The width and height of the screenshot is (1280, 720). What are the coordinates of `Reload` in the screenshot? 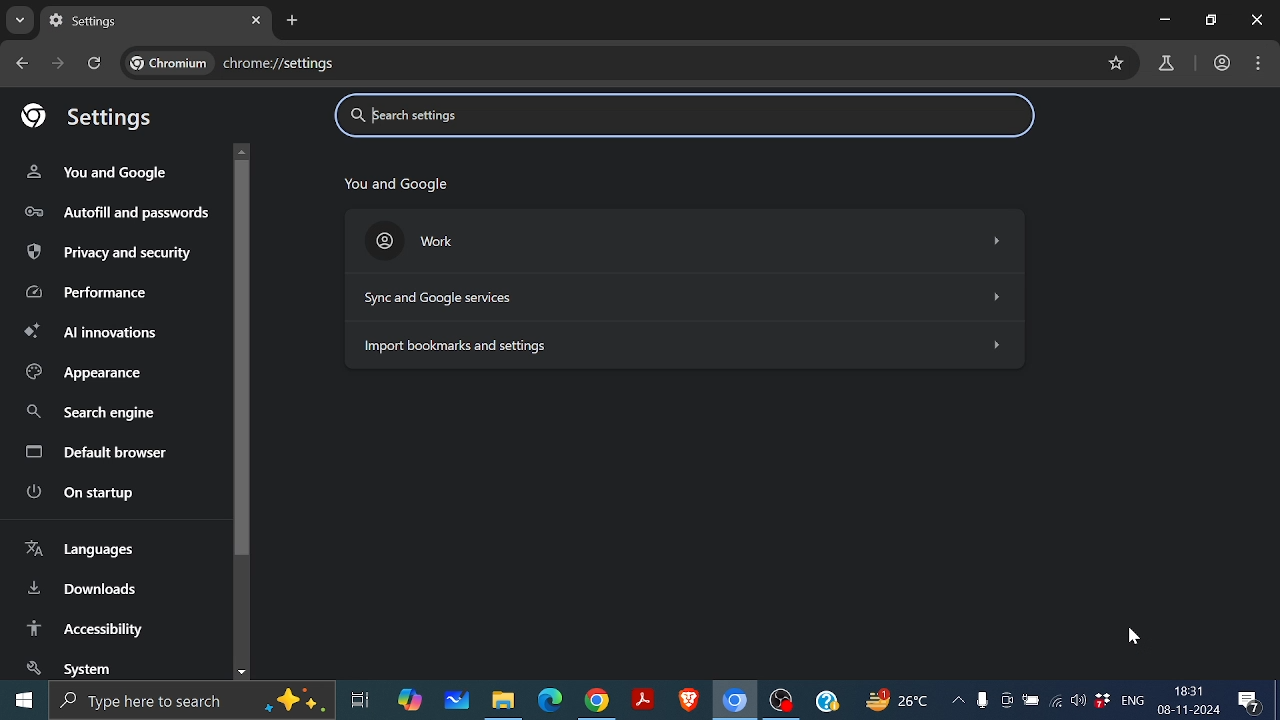 It's located at (100, 63).